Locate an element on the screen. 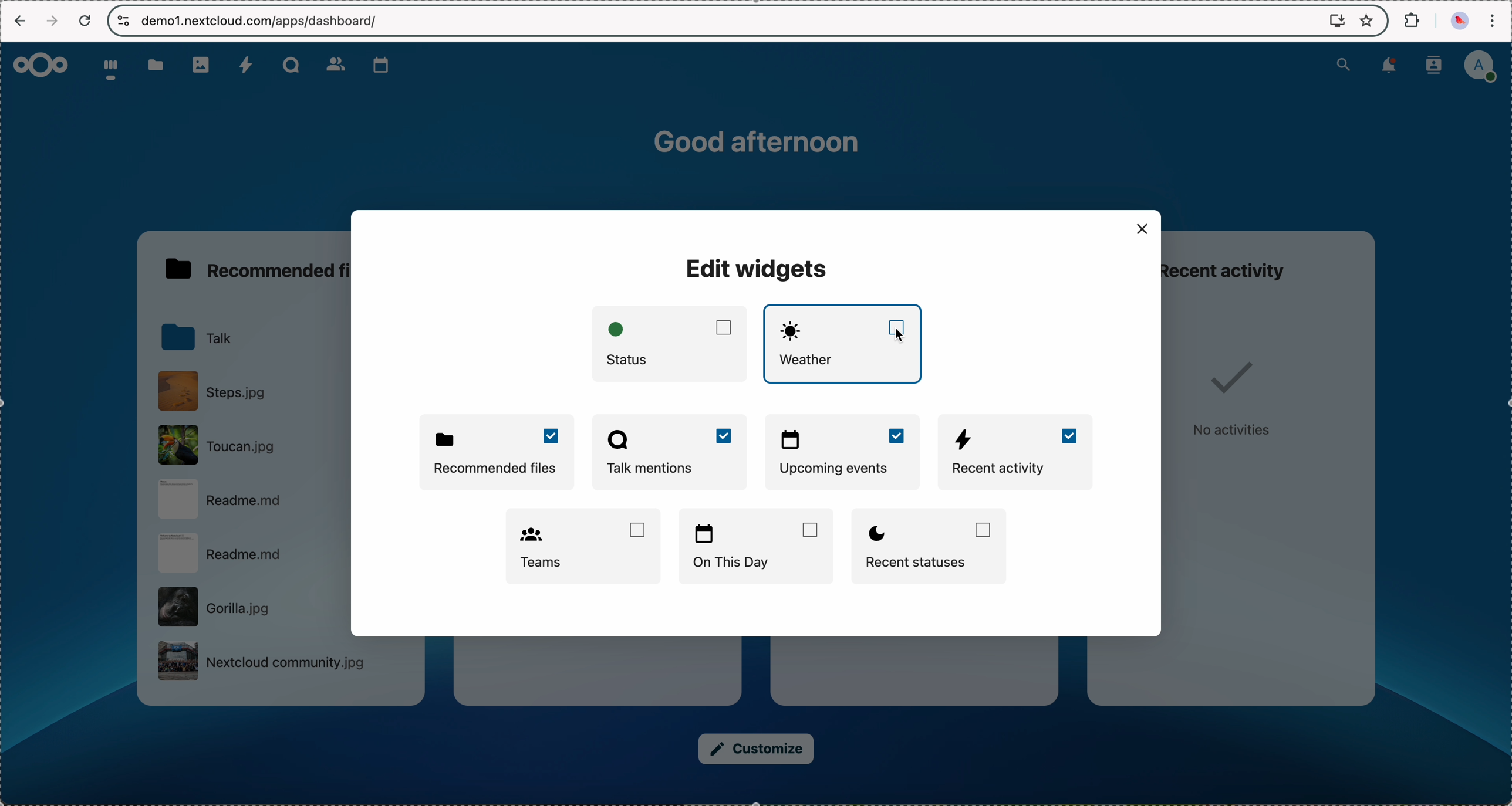 The width and height of the screenshot is (1512, 806). cursor is located at coordinates (899, 336).